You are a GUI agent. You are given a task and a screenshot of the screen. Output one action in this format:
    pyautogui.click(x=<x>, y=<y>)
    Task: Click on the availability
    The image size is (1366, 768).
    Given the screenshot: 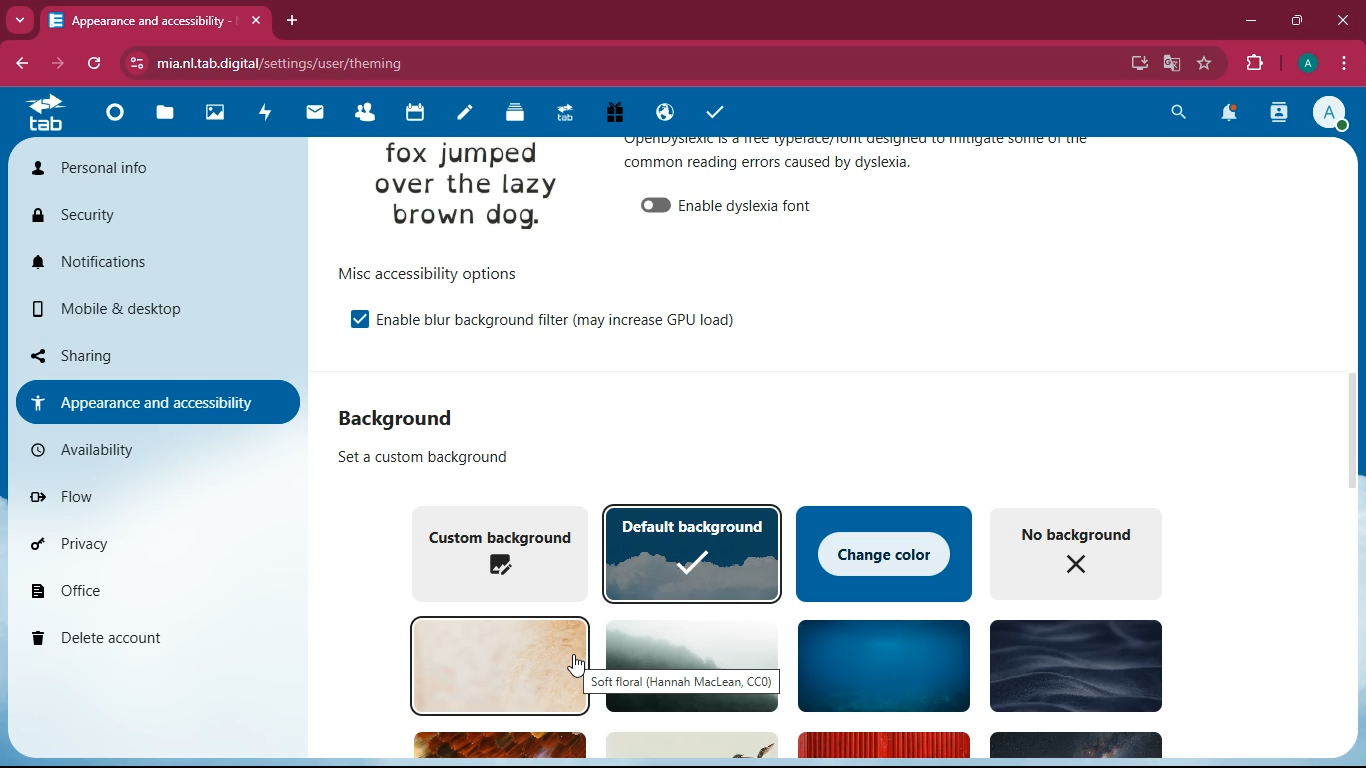 What is the action you would take?
    pyautogui.click(x=148, y=449)
    